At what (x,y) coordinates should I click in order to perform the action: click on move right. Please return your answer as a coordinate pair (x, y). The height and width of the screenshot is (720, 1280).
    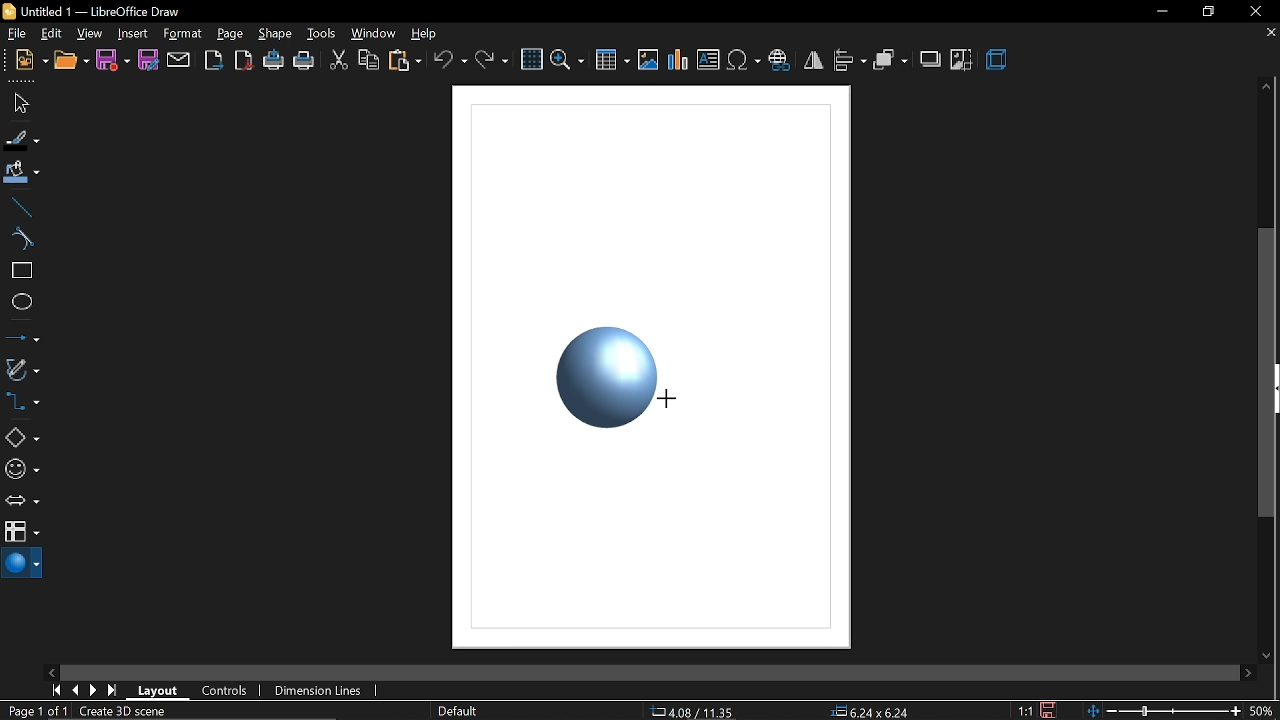
    Looking at the image, I should click on (1250, 672).